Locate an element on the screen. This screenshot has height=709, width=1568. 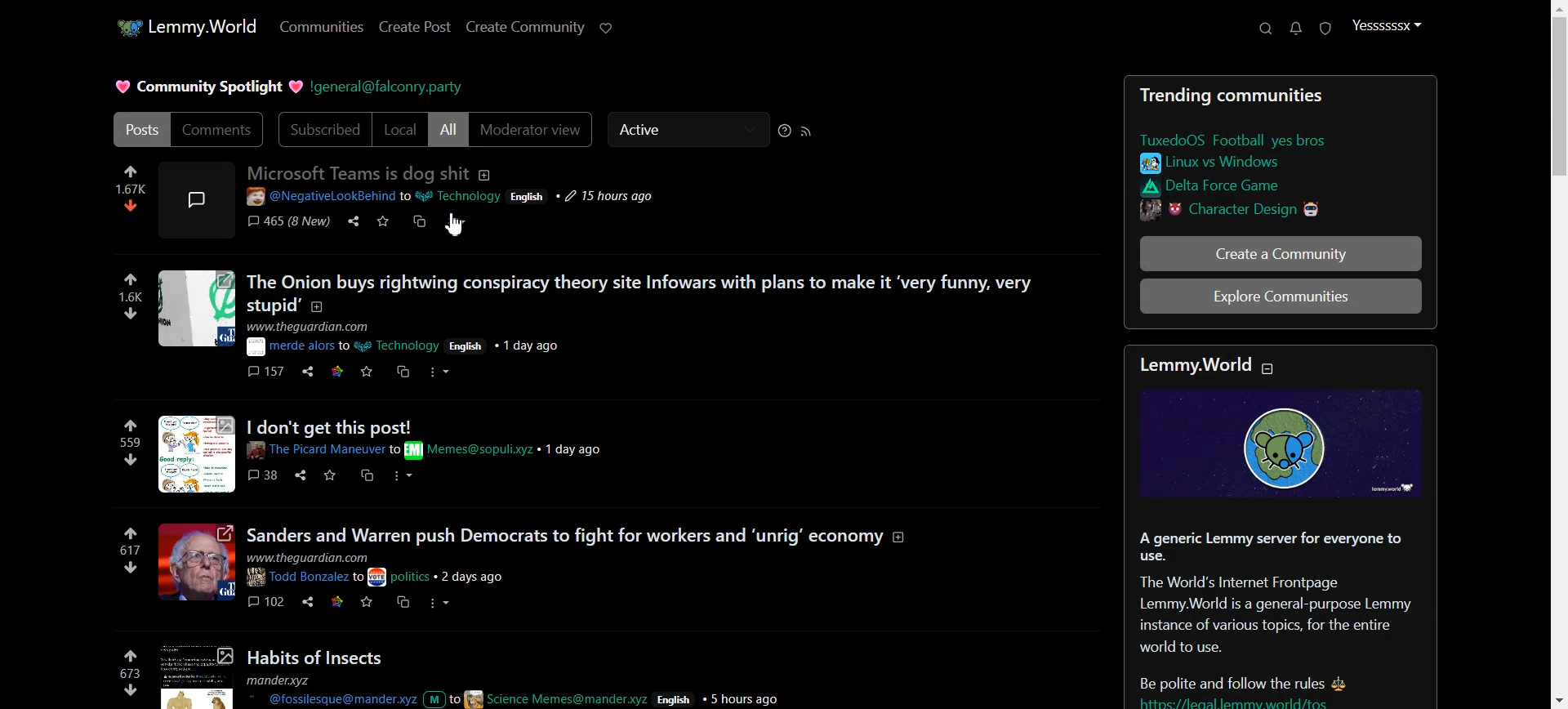
link is located at coordinates (338, 600).